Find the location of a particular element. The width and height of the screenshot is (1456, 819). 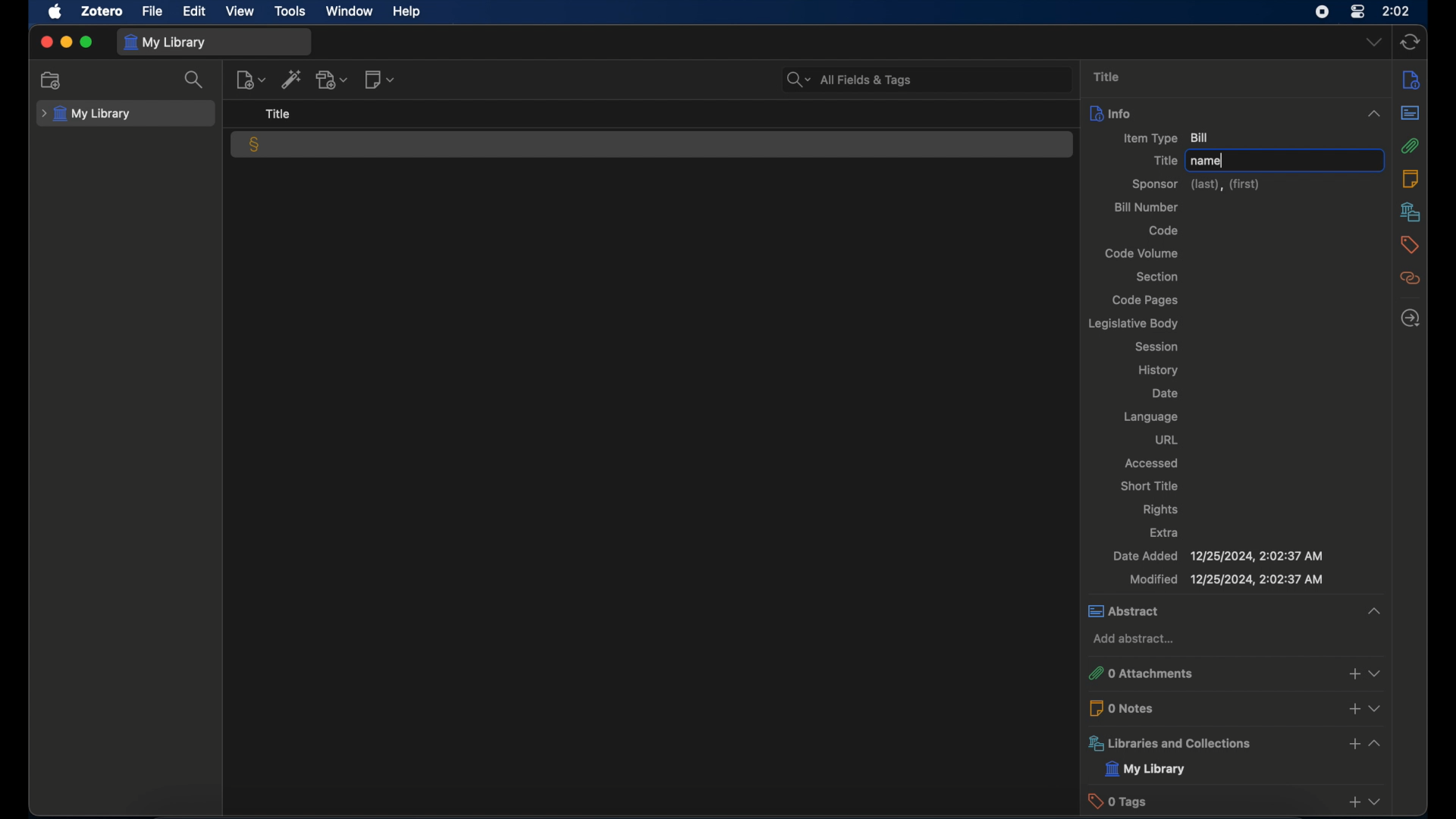

section is located at coordinates (1156, 278).